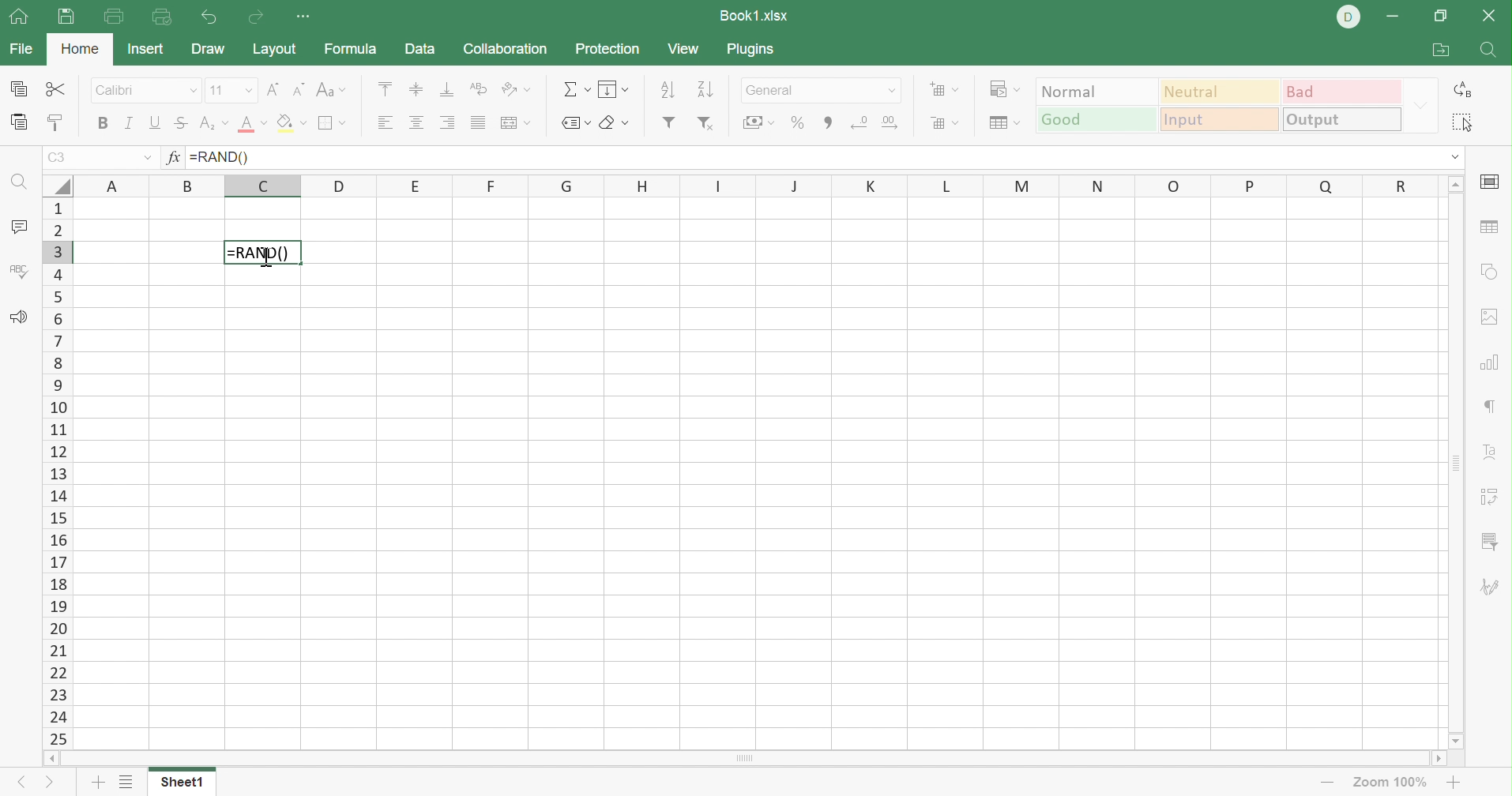  Describe the element at coordinates (332, 90) in the screenshot. I see `Change case` at that location.